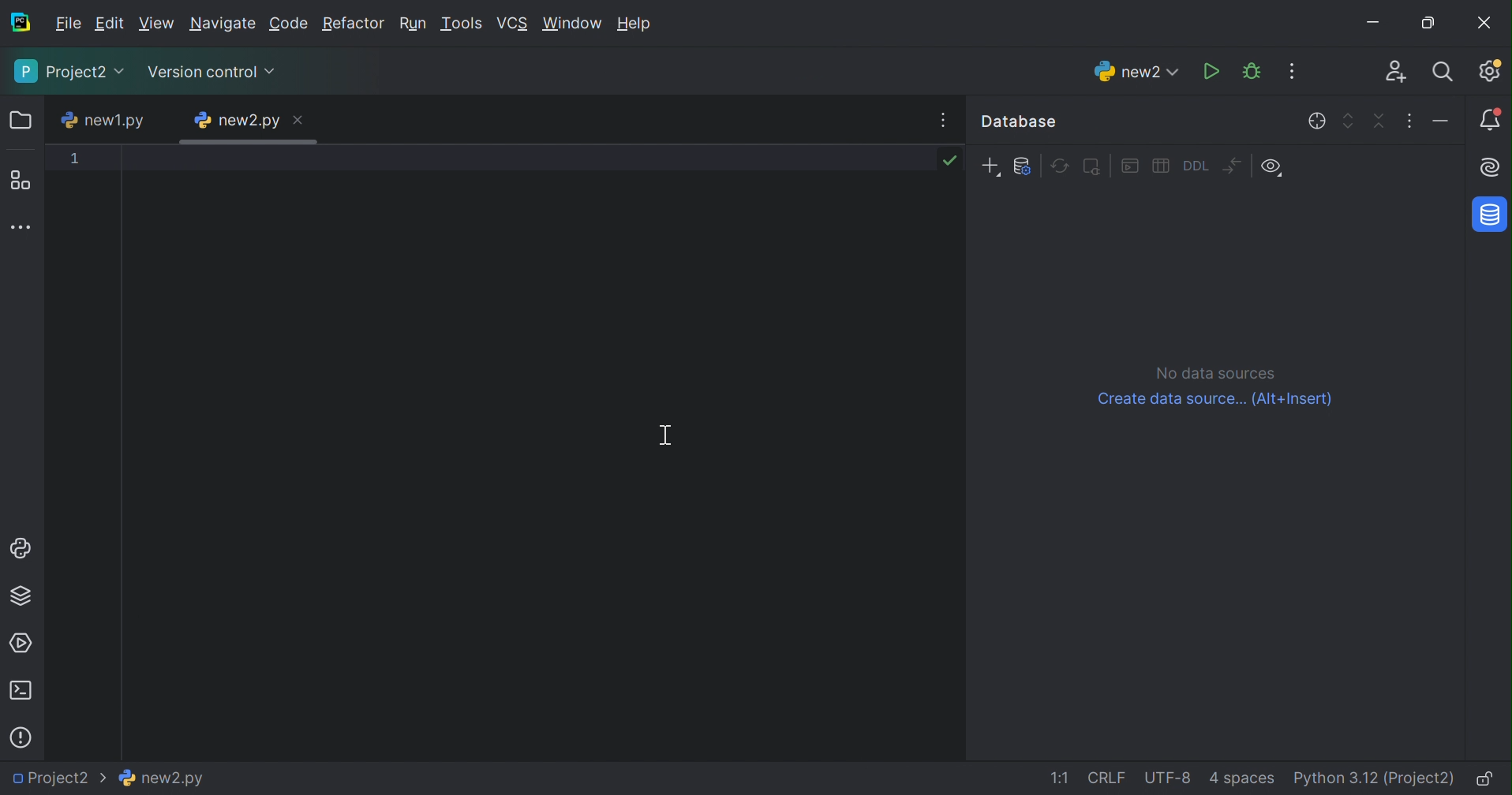 The height and width of the screenshot is (795, 1512). I want to click on Collapse all, so click(1379, 121).